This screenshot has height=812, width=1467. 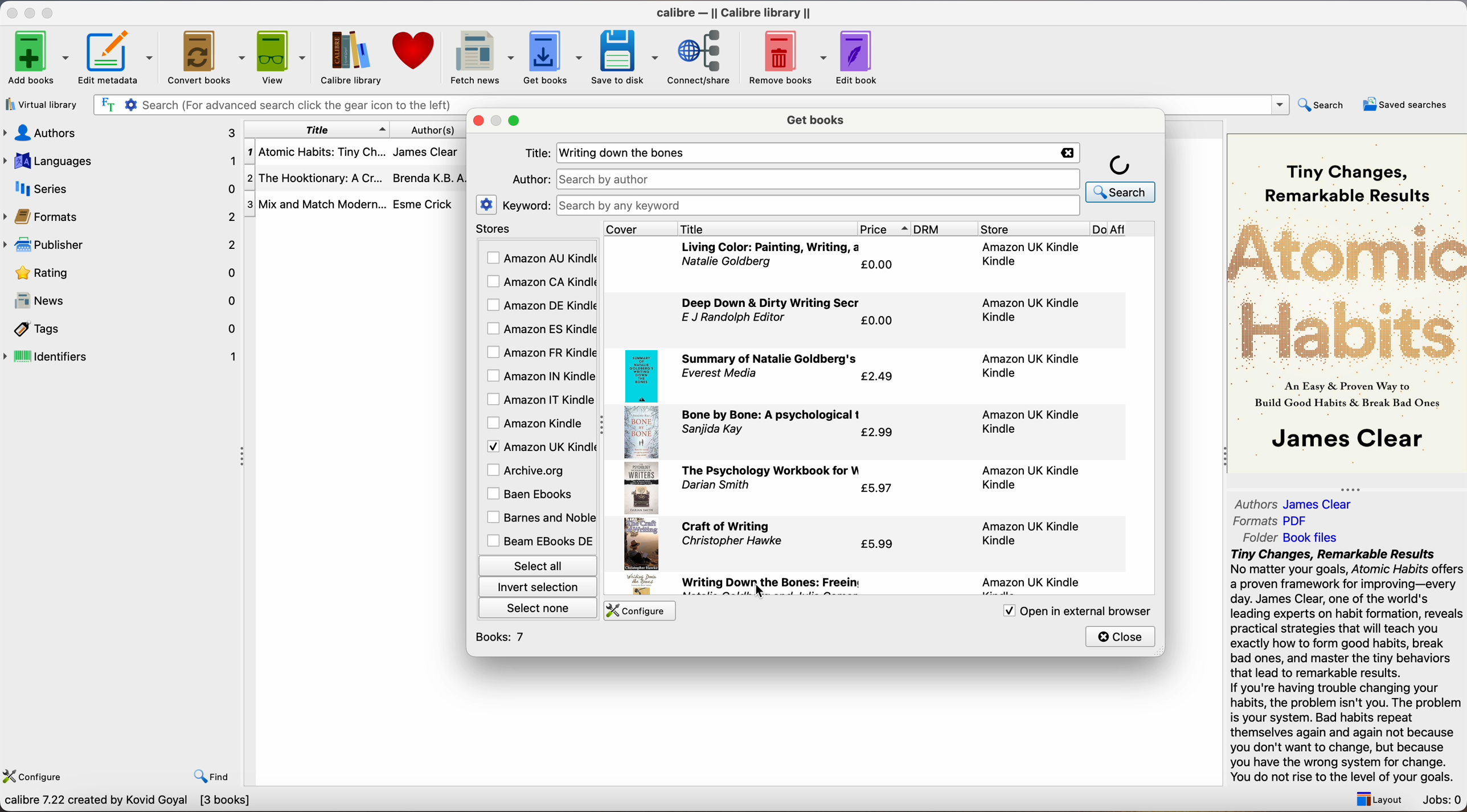 What do you see at coordinates (1125, 230) in the screenshot?
I see `do Af1` at bounding box center [1125, 230].